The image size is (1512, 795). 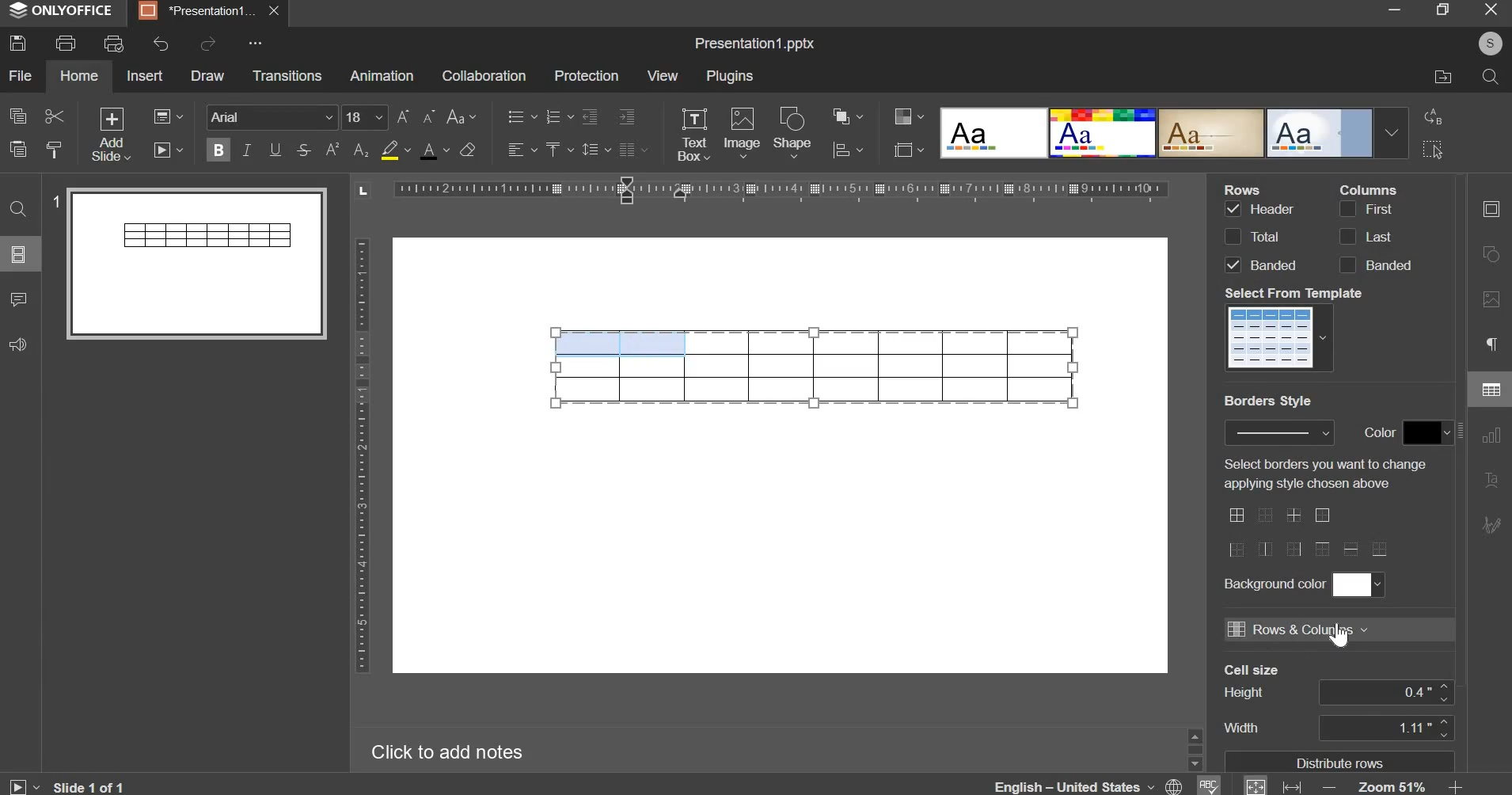 I want to click on subscript & superscript, so click(x=347, y=149).